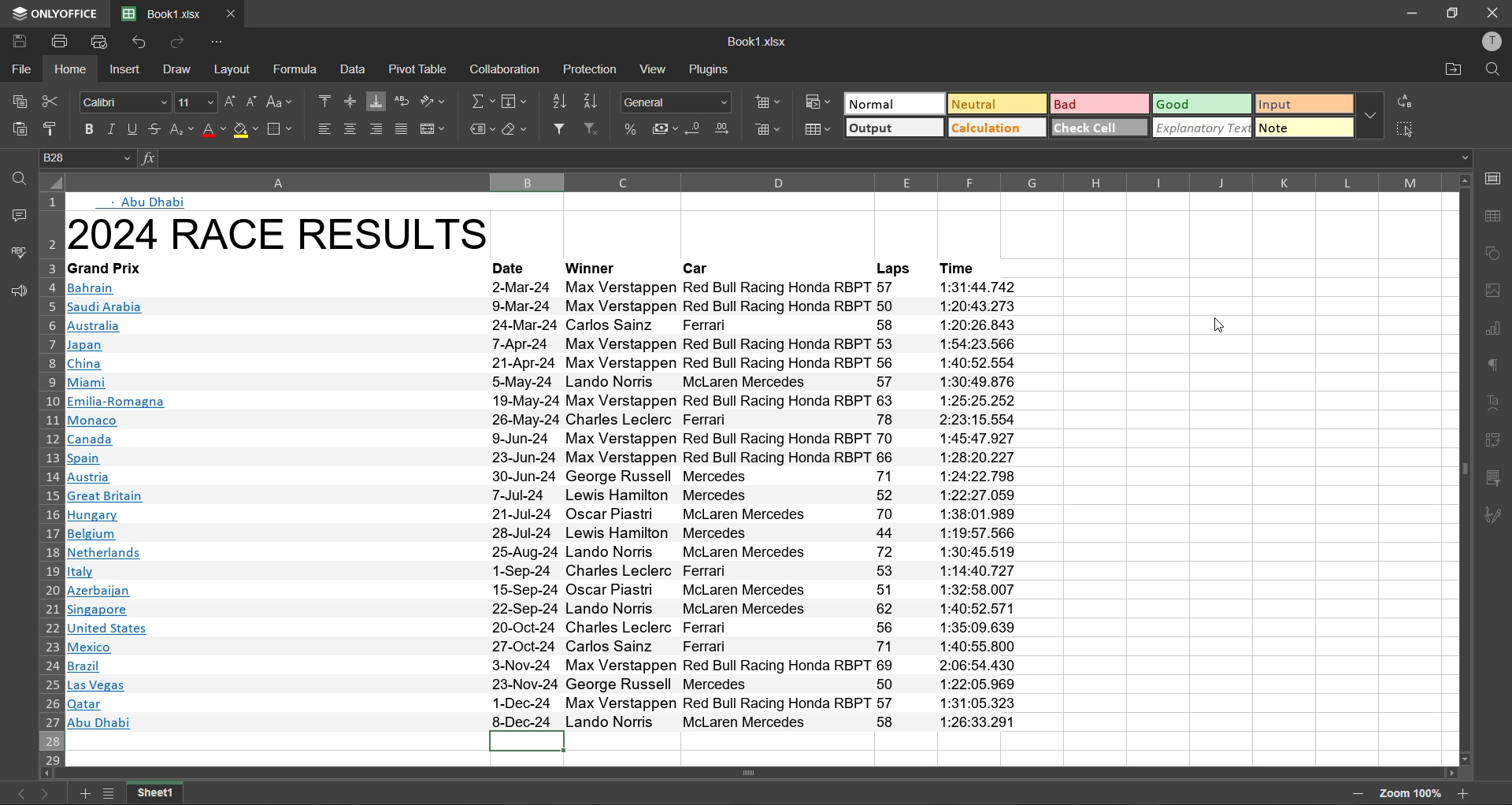 Image resolution: width=1512 pixels, height=805 pixels. Describe the element at coordinates (151, 161) in the screenshot. I see `function input` at that location.